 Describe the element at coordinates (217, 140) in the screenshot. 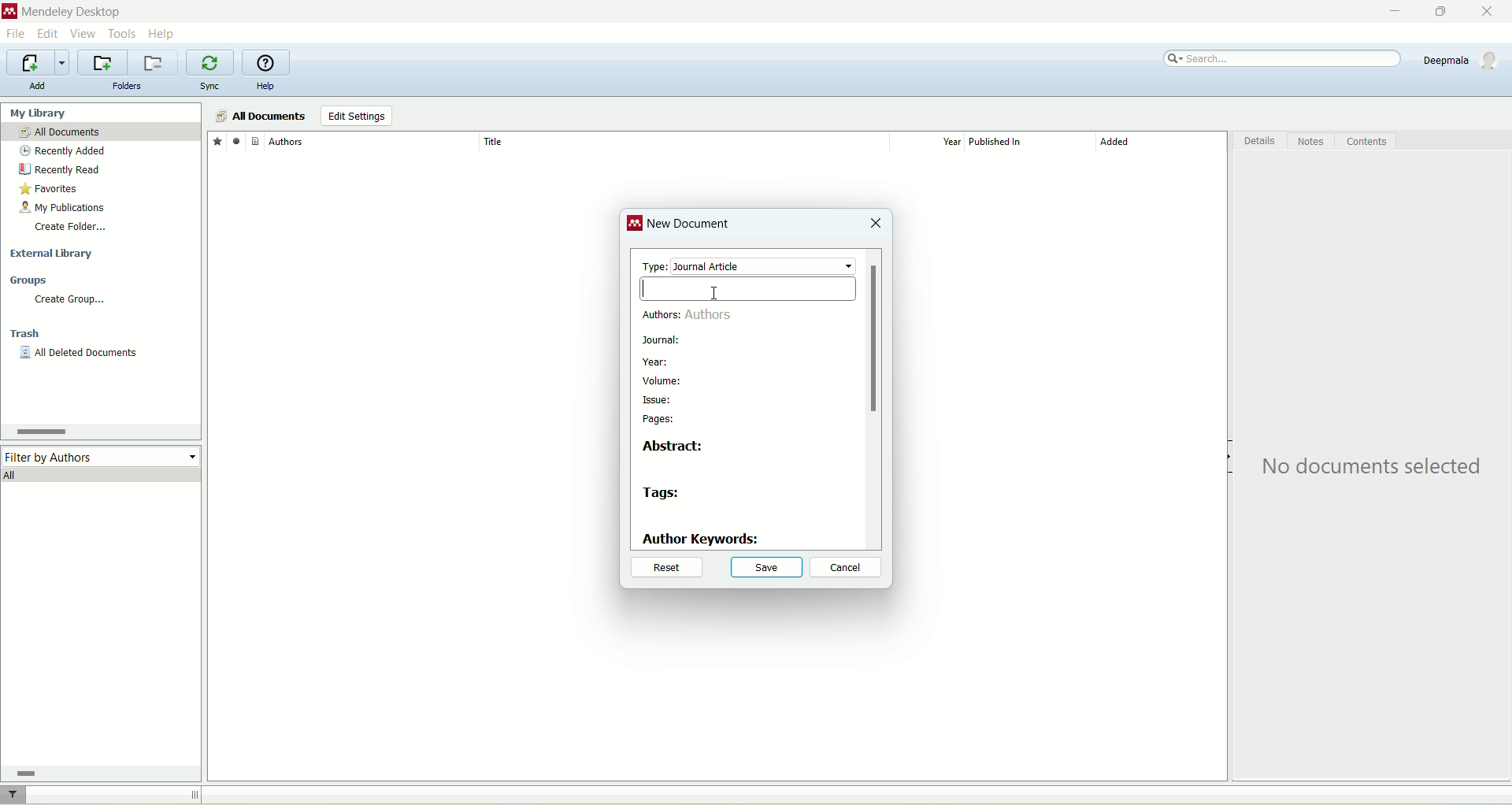

I see `favorites` at that location.